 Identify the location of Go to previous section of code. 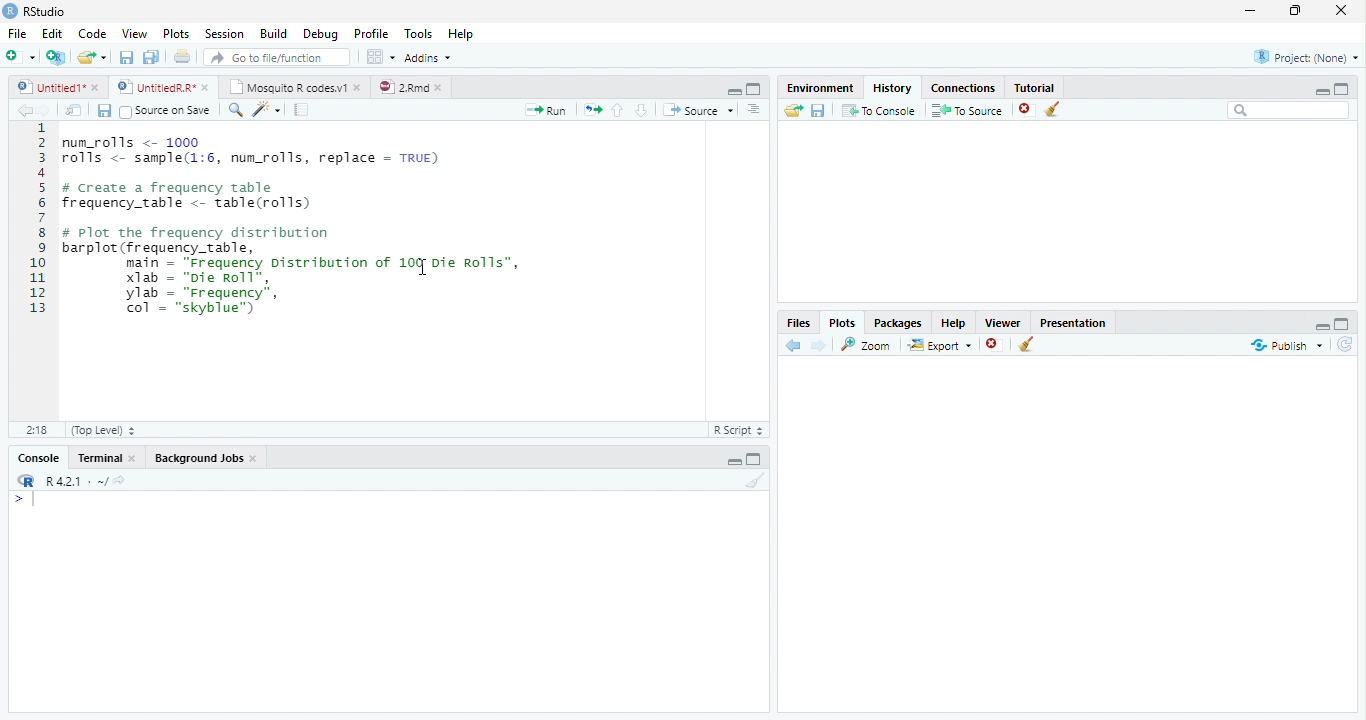
(619, 111).